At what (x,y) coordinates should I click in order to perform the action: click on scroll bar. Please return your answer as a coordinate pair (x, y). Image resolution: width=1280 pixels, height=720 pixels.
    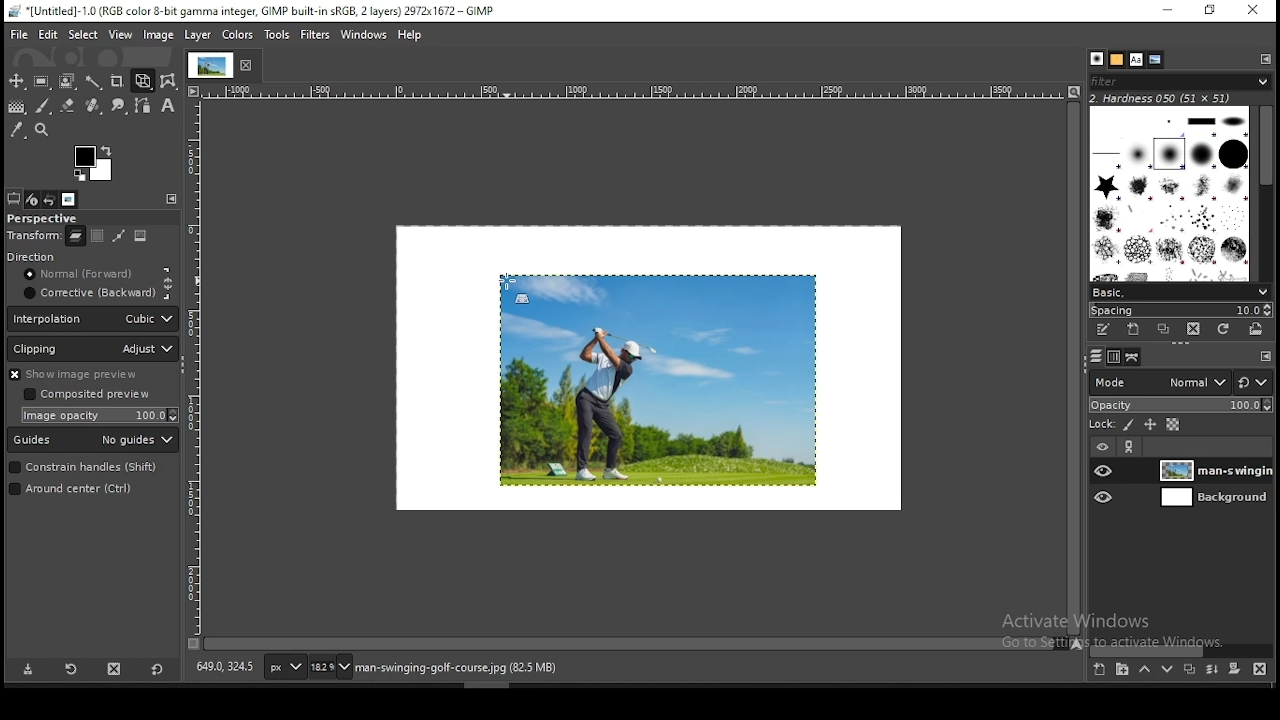
    Looking at the image, I should click on (1265, 194).